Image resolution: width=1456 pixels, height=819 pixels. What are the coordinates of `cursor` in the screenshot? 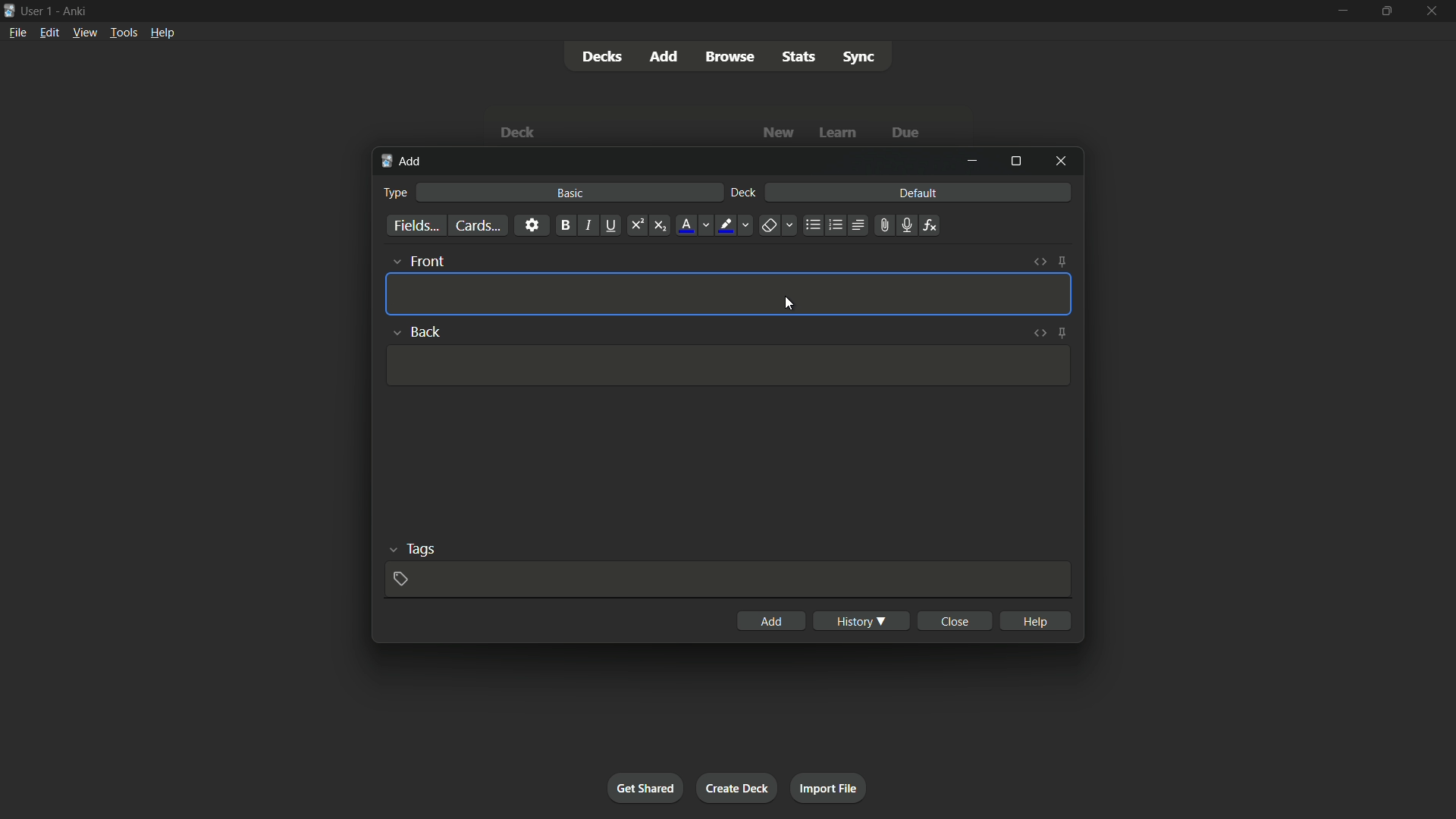 It's located at (791, 306).